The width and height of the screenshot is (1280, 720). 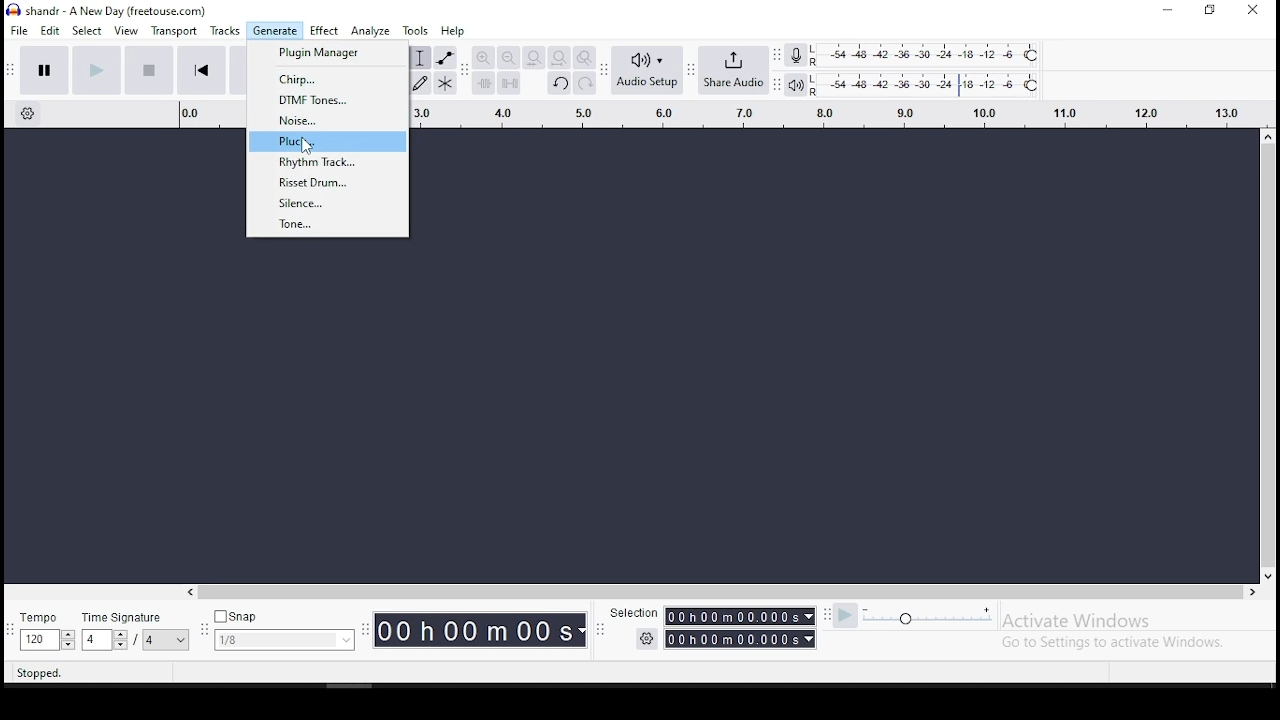 What do you see at coordinates (96, 69) in the screenshot?
I see `play` at bounding box center [96, 69].